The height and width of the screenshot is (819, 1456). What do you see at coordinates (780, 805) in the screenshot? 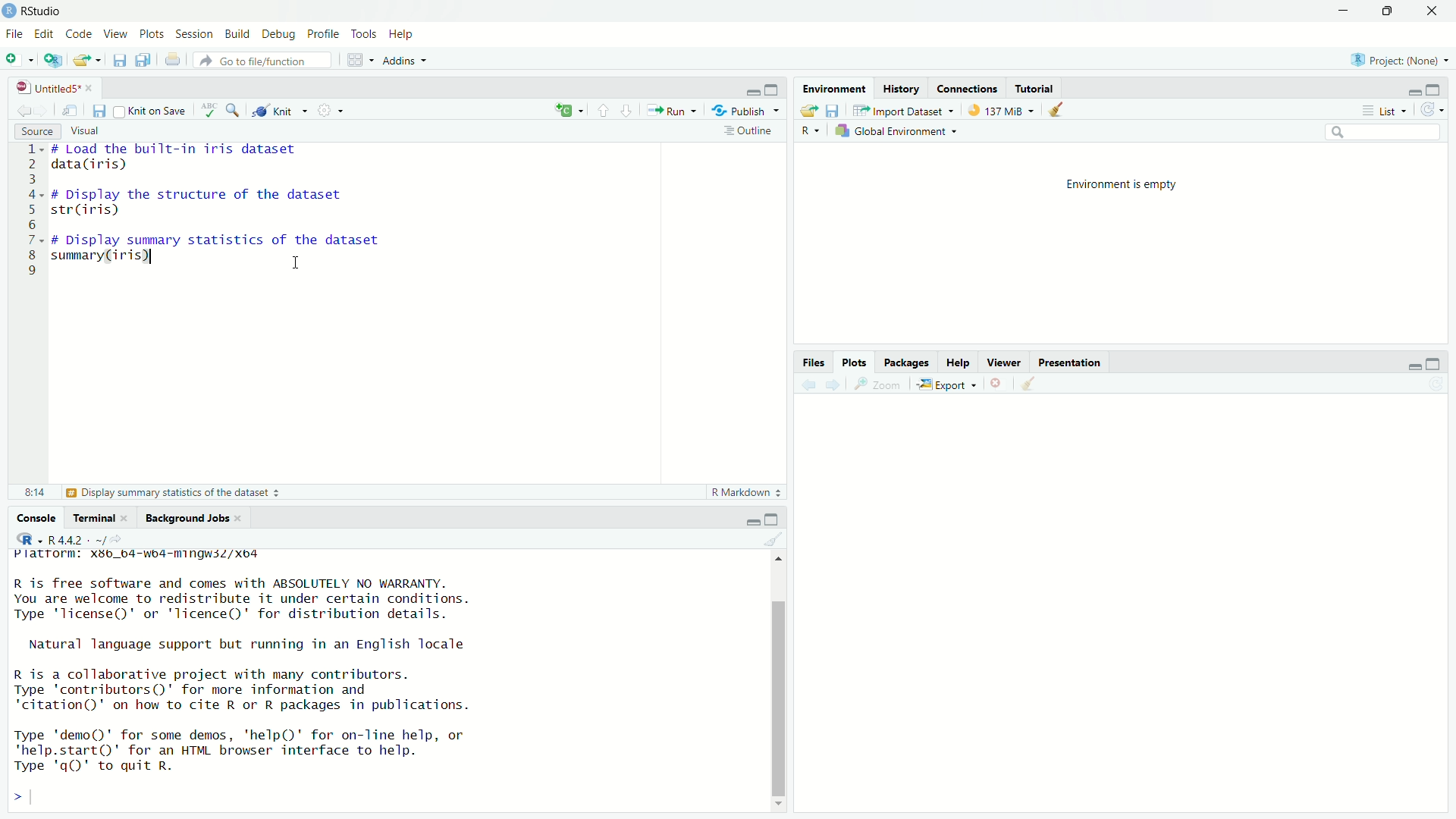
I see `Scroll down` at bounding box center [780, 805].